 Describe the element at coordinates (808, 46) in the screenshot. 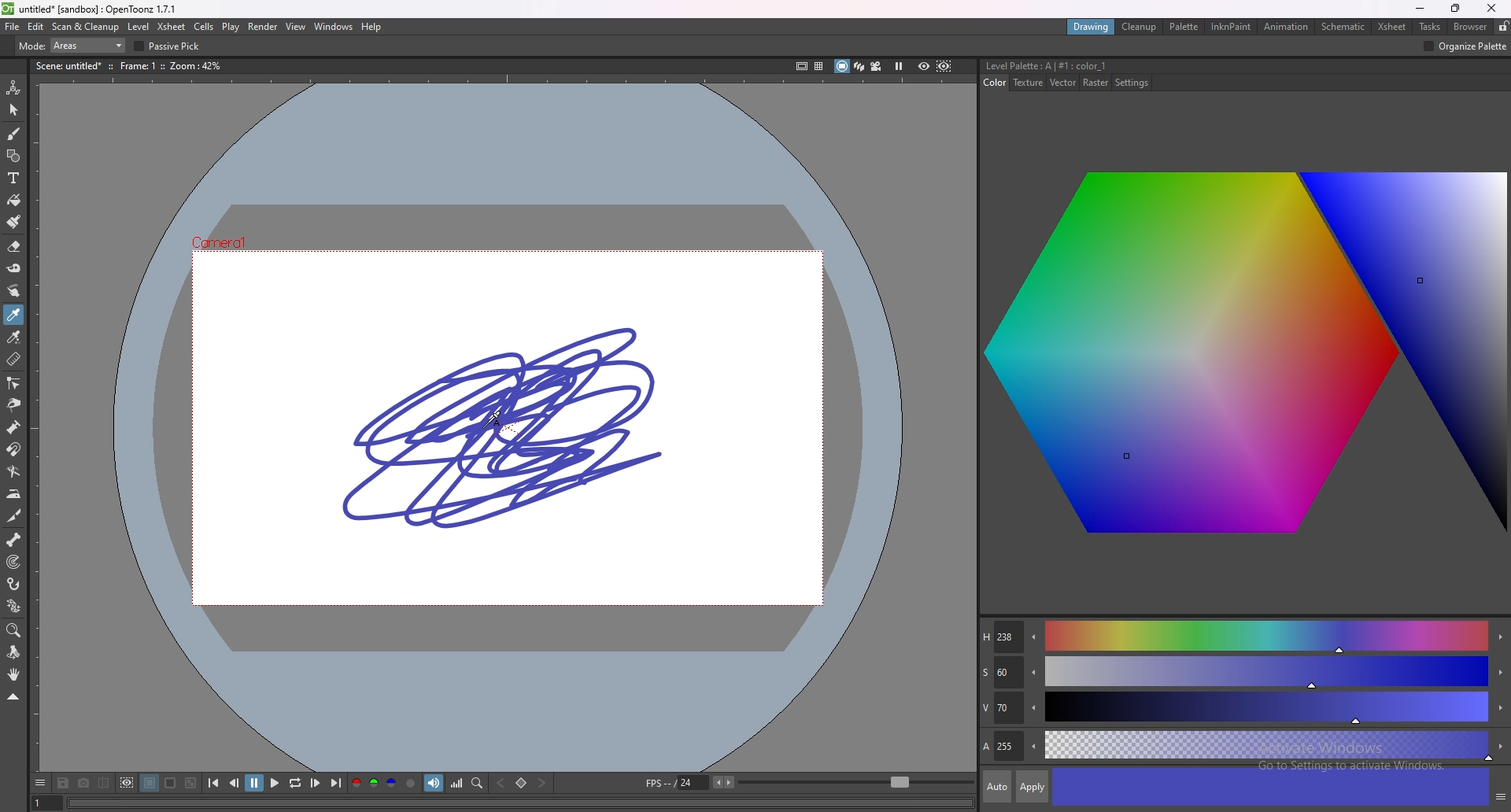

I see `rotation` at that location.